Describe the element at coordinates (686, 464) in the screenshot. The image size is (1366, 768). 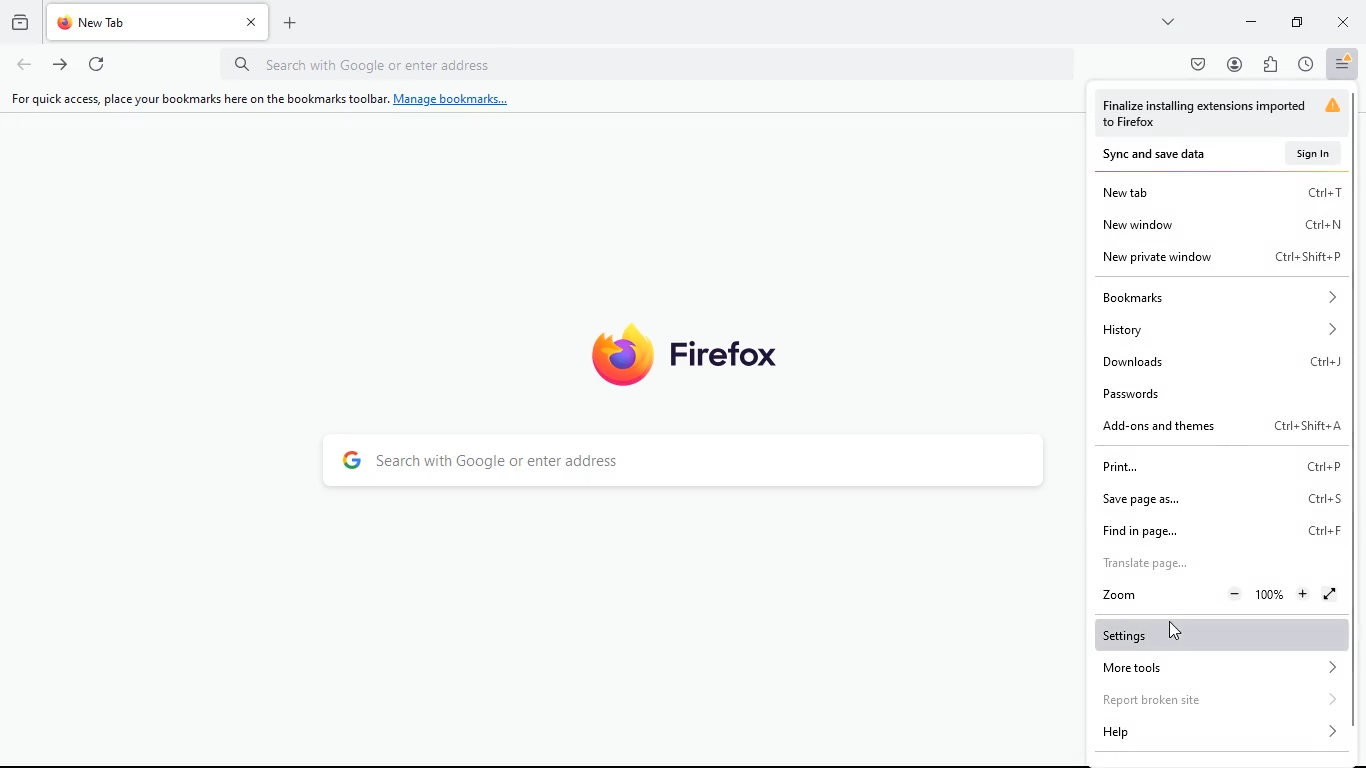
I see `search` at that location.